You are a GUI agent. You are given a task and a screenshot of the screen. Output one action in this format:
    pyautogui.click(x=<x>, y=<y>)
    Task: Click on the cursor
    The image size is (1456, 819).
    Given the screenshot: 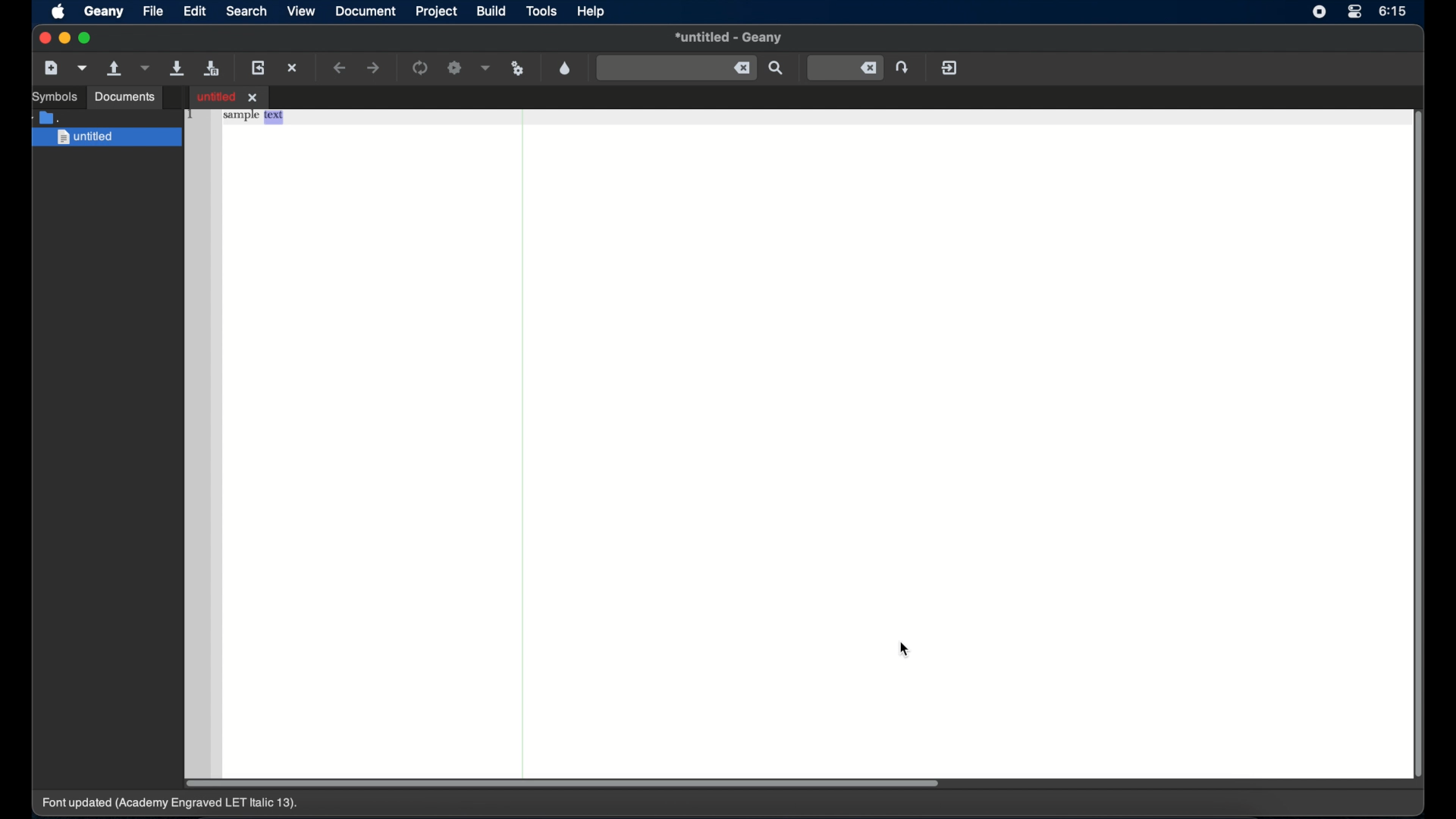 What is the action you would take?
    pyautogui.click(x=906, y=650)
    